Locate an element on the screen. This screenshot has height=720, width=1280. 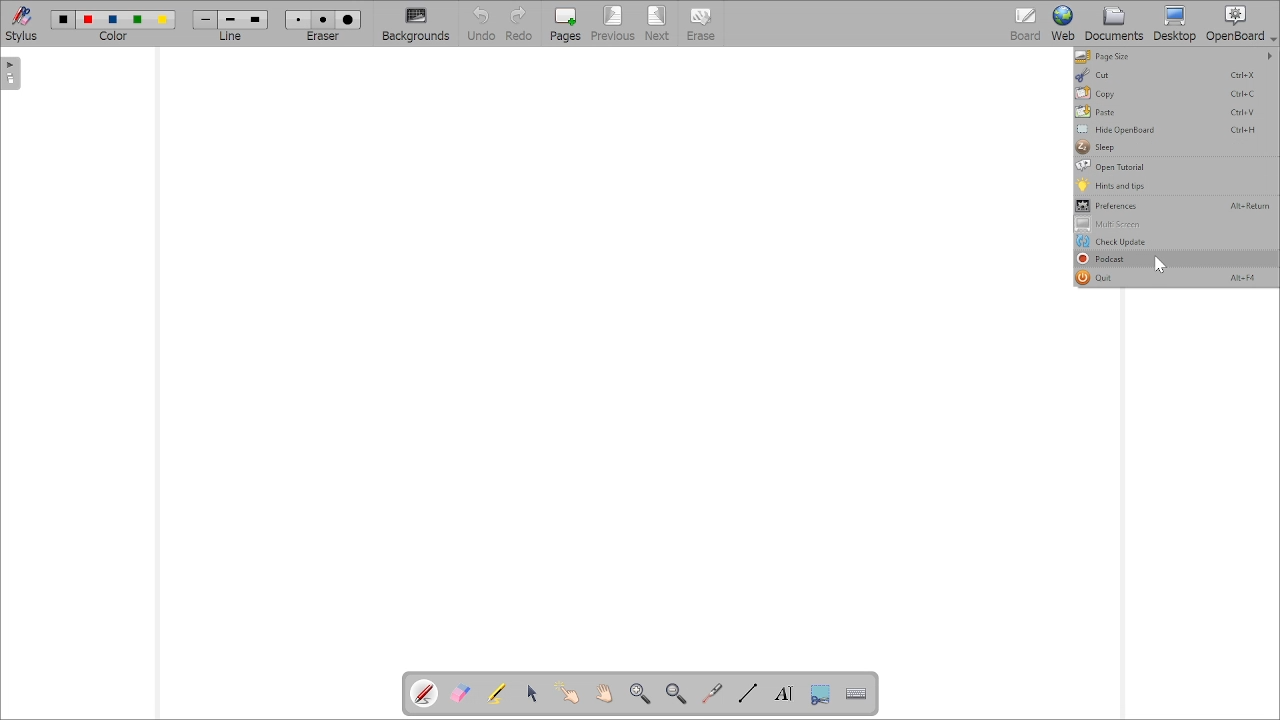
Line1 is located at coordinates (205, 19).